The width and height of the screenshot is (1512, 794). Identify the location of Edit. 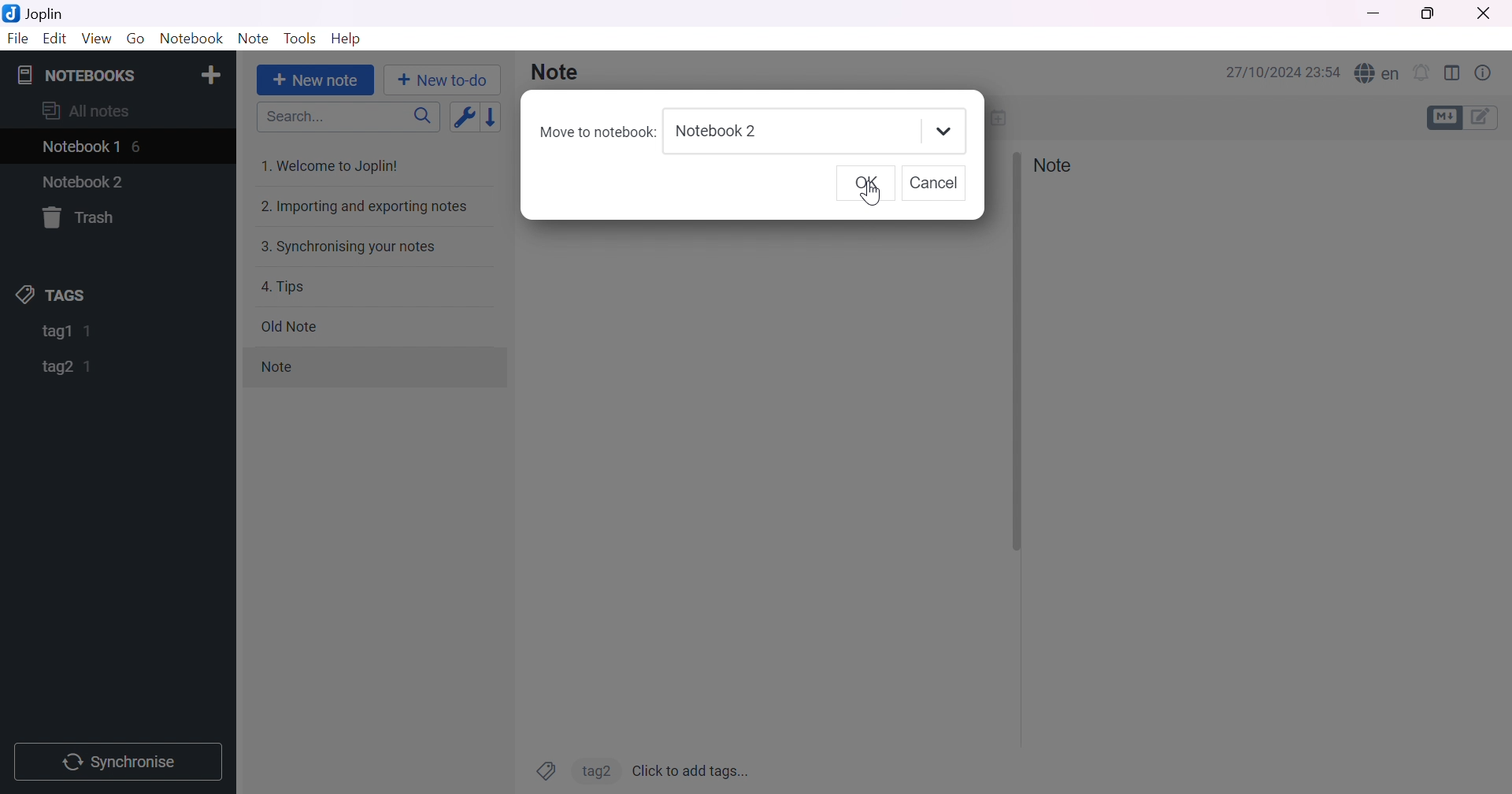
(56, 41).